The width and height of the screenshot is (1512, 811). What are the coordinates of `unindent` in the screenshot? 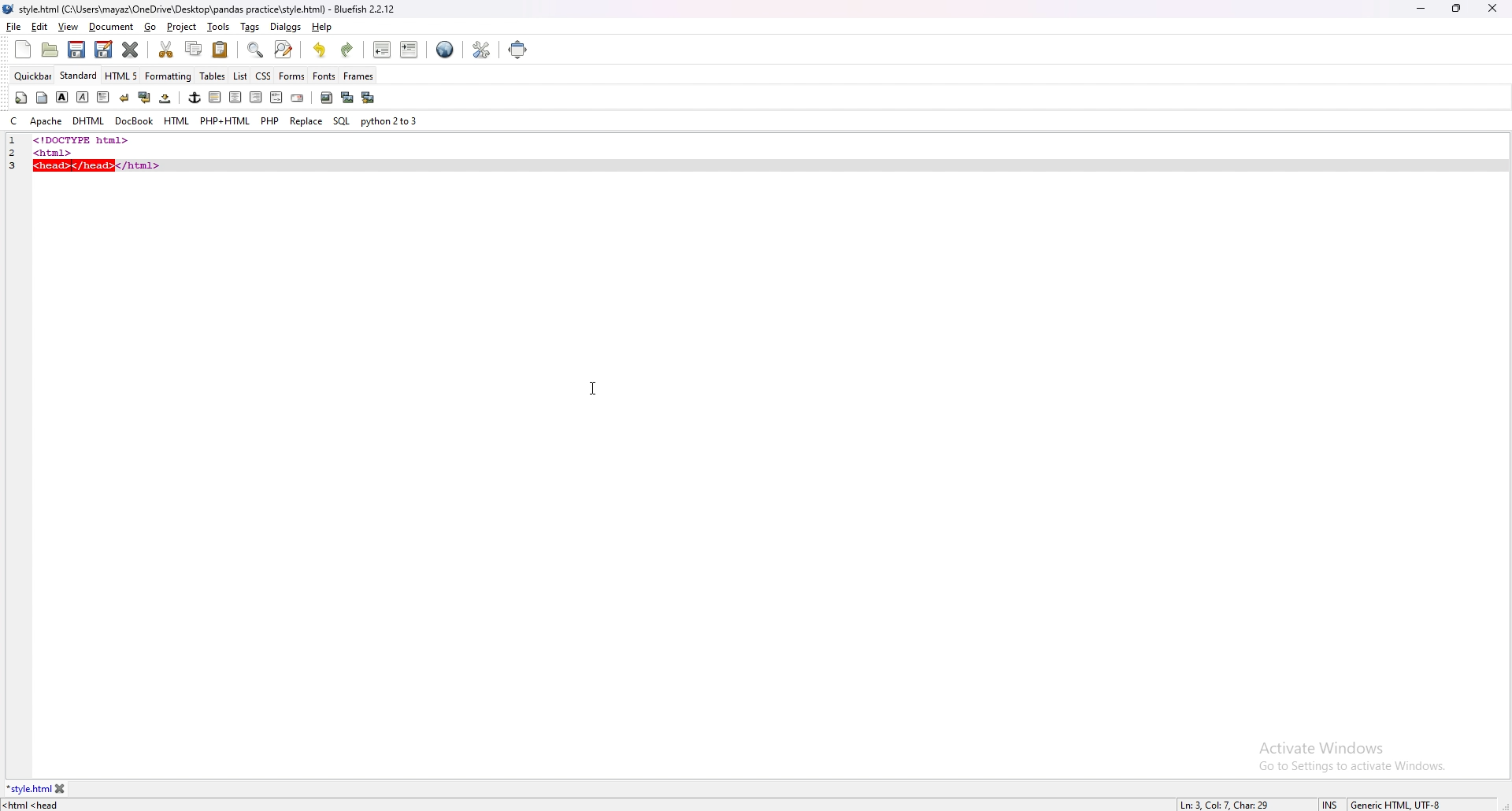 It's located at (383, 50).